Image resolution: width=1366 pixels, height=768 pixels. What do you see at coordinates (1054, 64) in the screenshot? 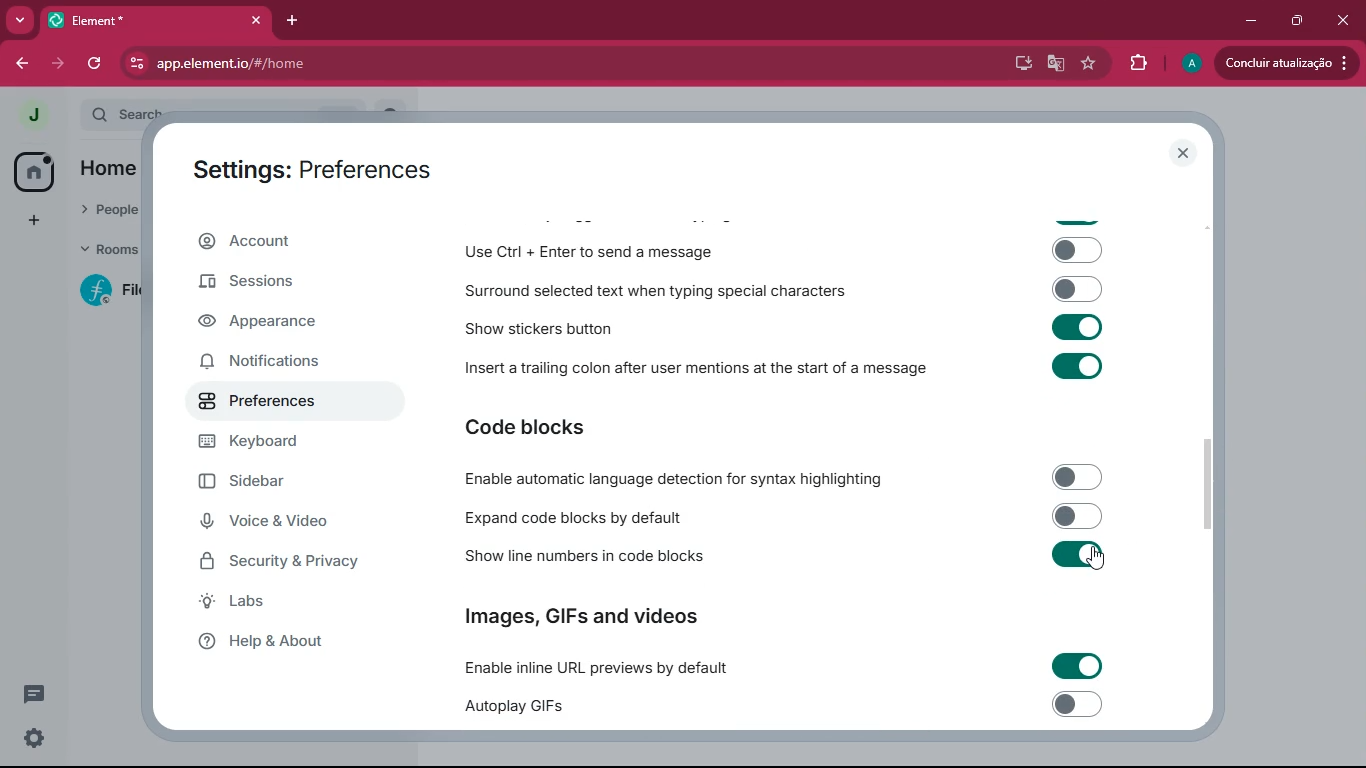
I see `google translate` at bounding box center [1054, 64].